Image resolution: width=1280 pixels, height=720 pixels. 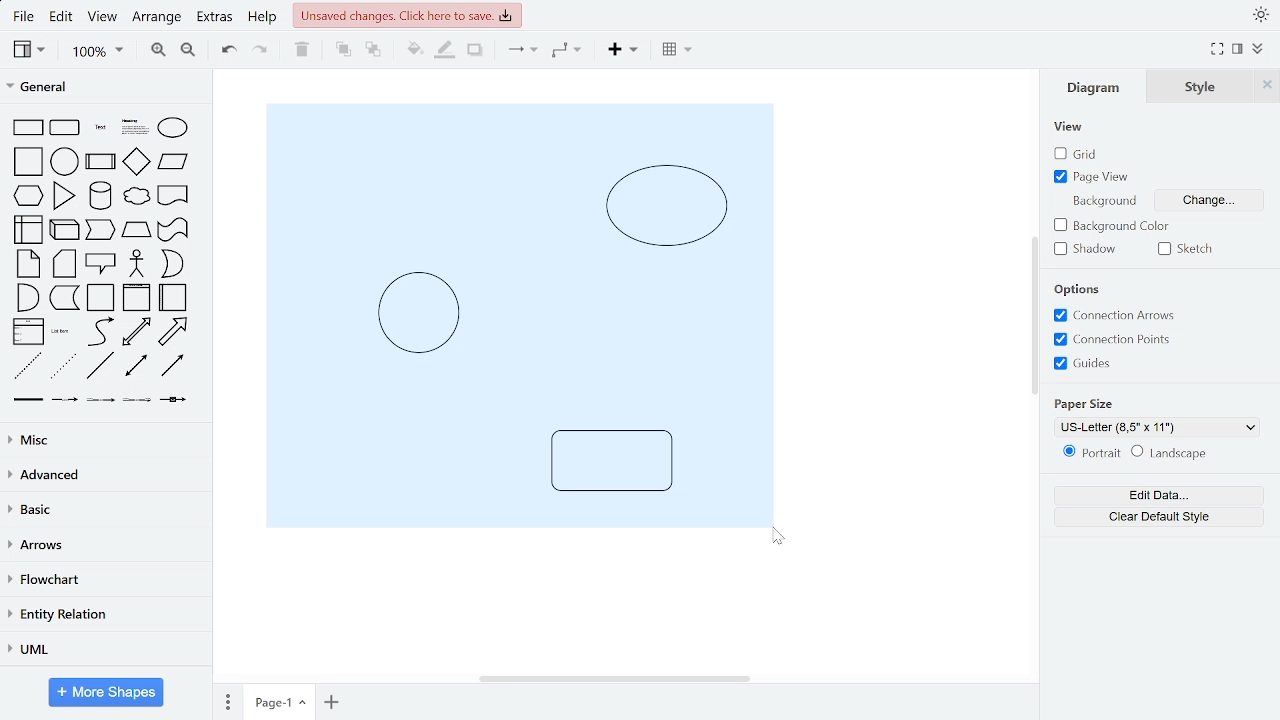 What do you see at coordinates (29, 331) in the screenshot?
I see `list` at bounding box center [29, 331].